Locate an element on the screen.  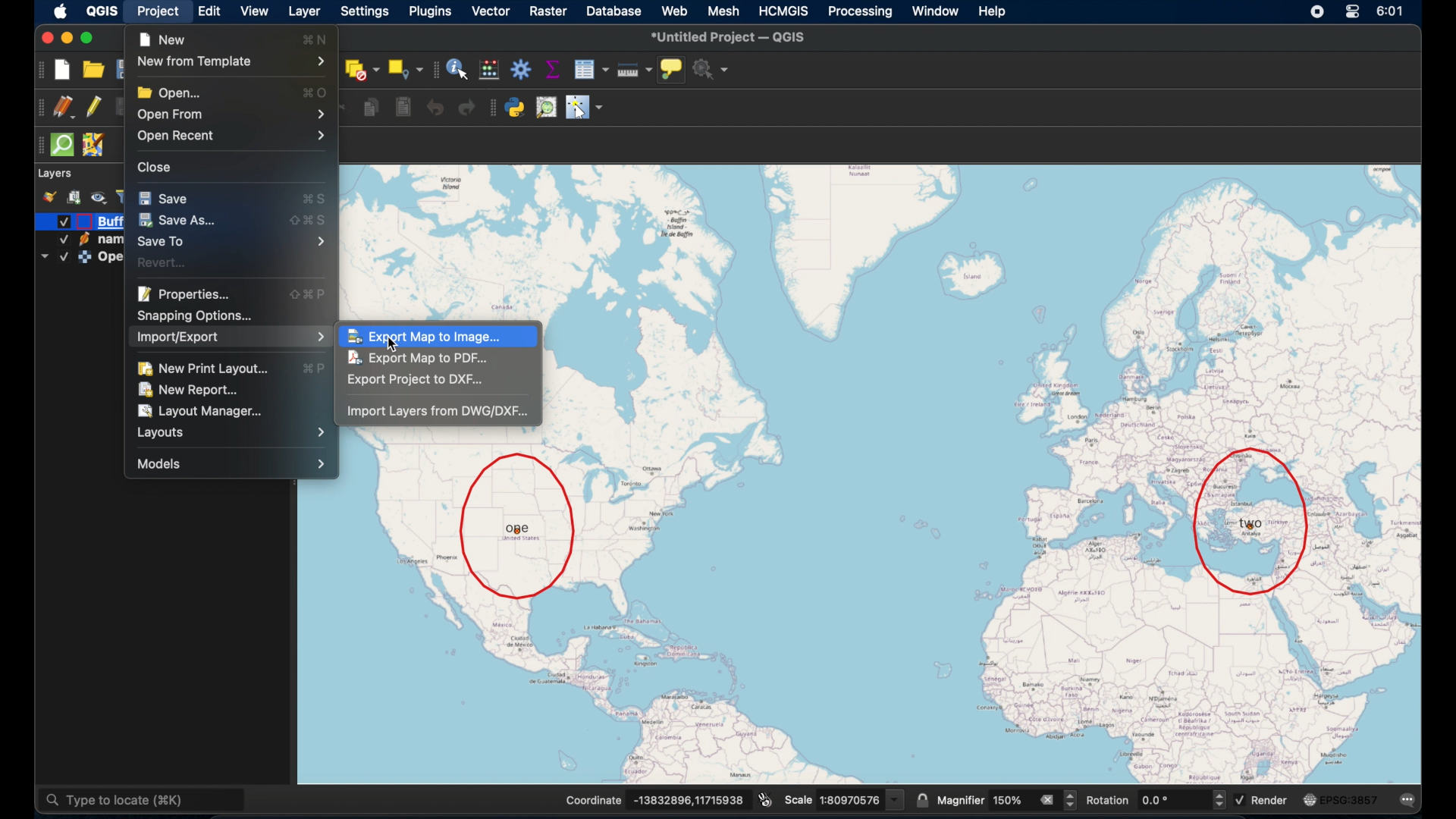
rotation input value is located at coordinates (1171, 801).